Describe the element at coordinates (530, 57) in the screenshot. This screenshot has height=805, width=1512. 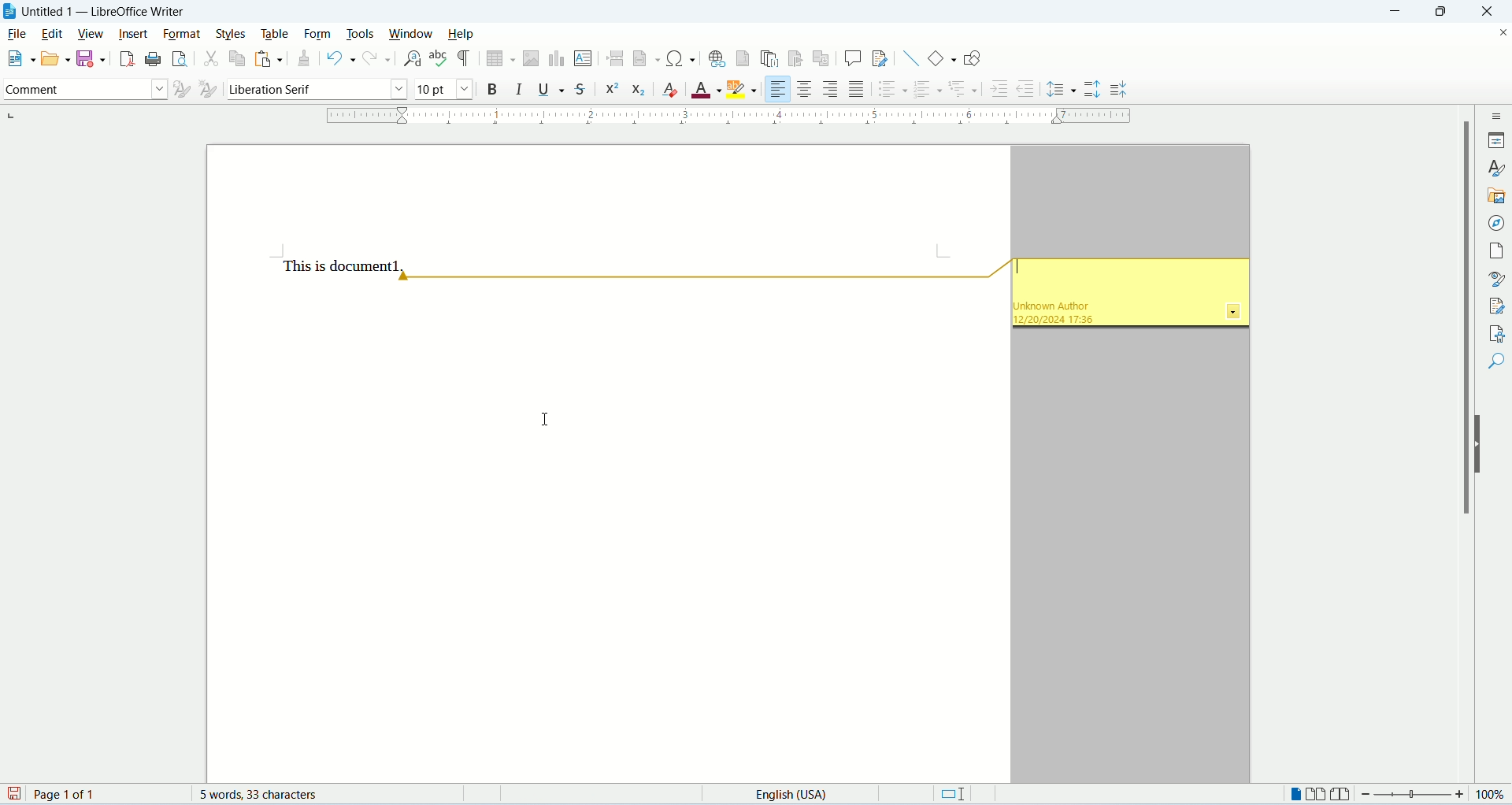
I see `insert image` at that location.